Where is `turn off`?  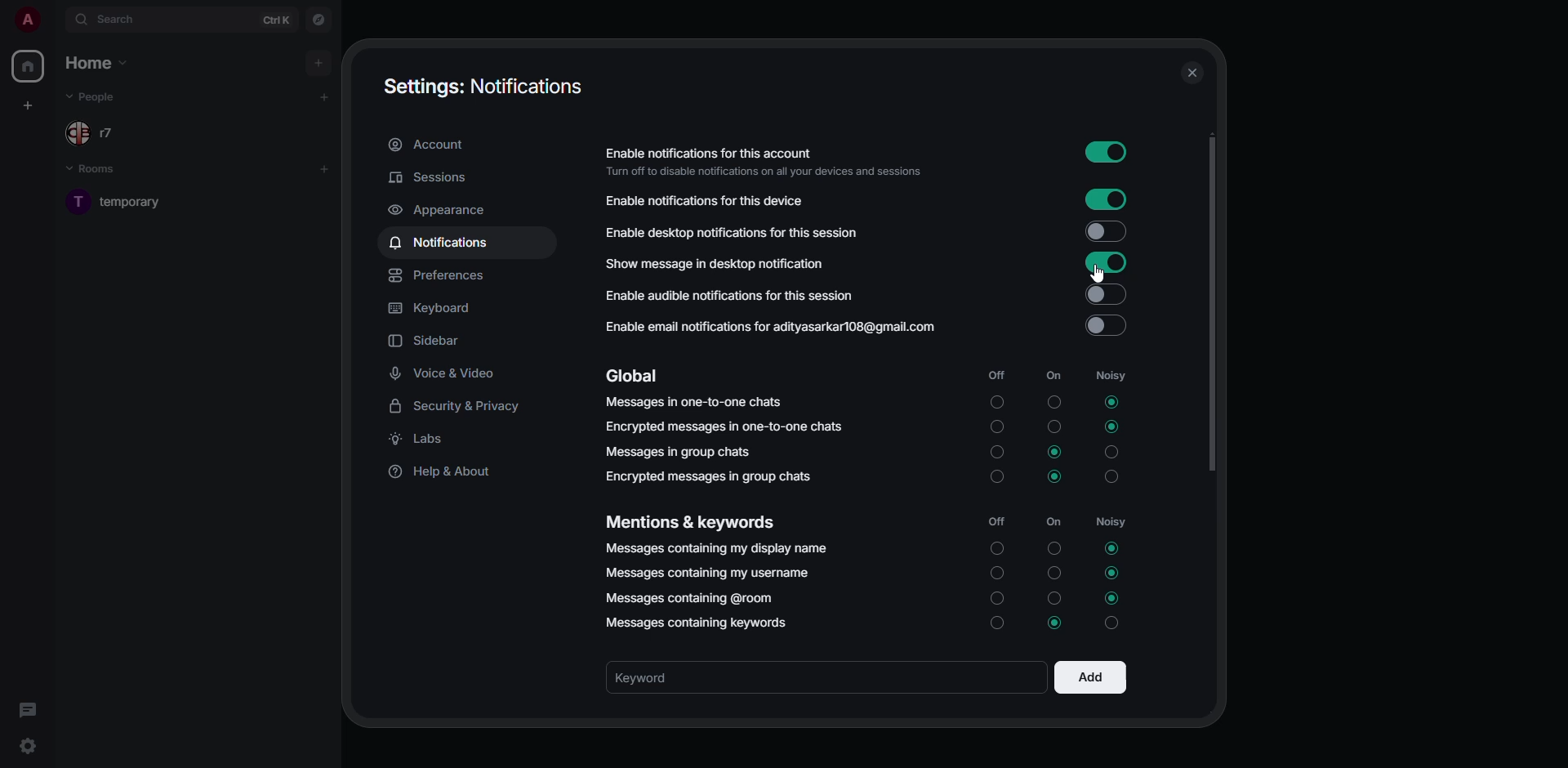 turn off is located at coordinates (1057, 572).